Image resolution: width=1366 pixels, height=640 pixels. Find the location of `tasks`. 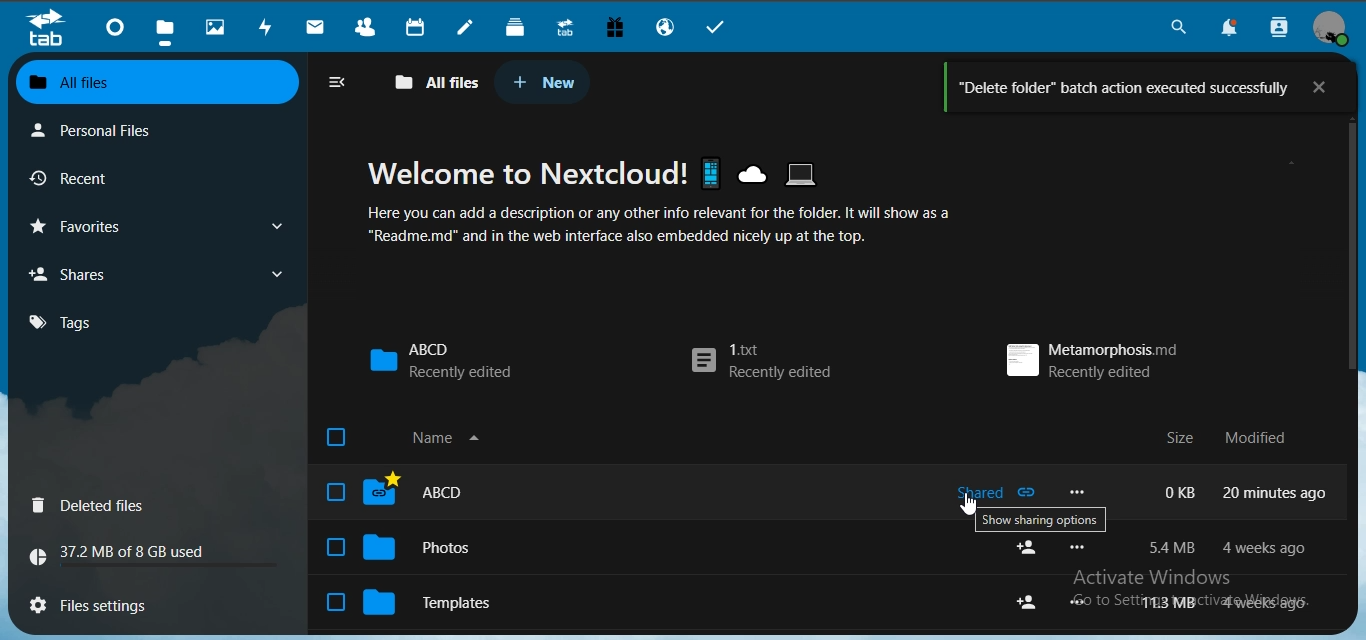

tasks is located at coordinates (719, 27).